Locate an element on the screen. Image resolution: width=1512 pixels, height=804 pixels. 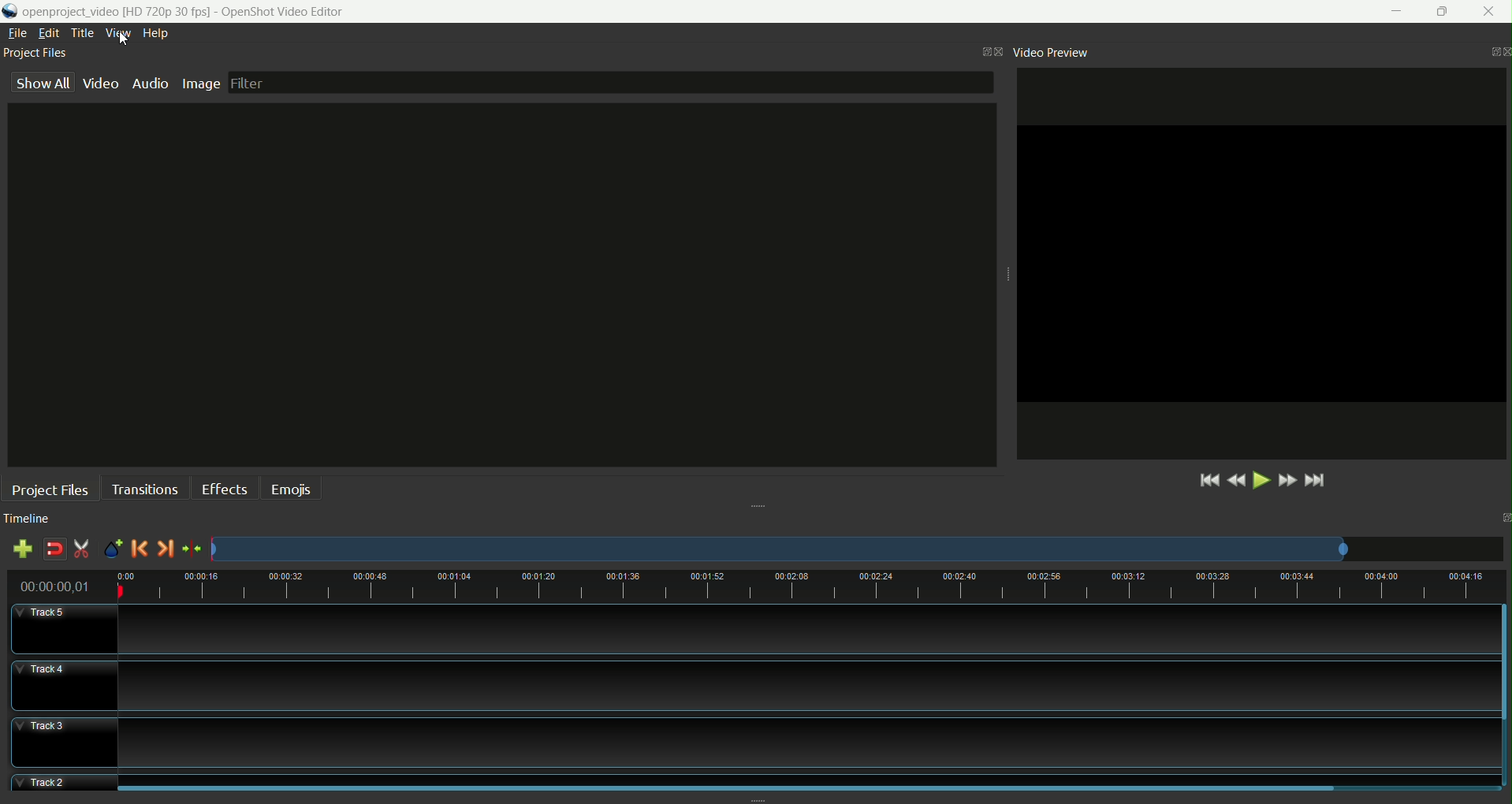
rewind is located at coordinates (1238, 482).